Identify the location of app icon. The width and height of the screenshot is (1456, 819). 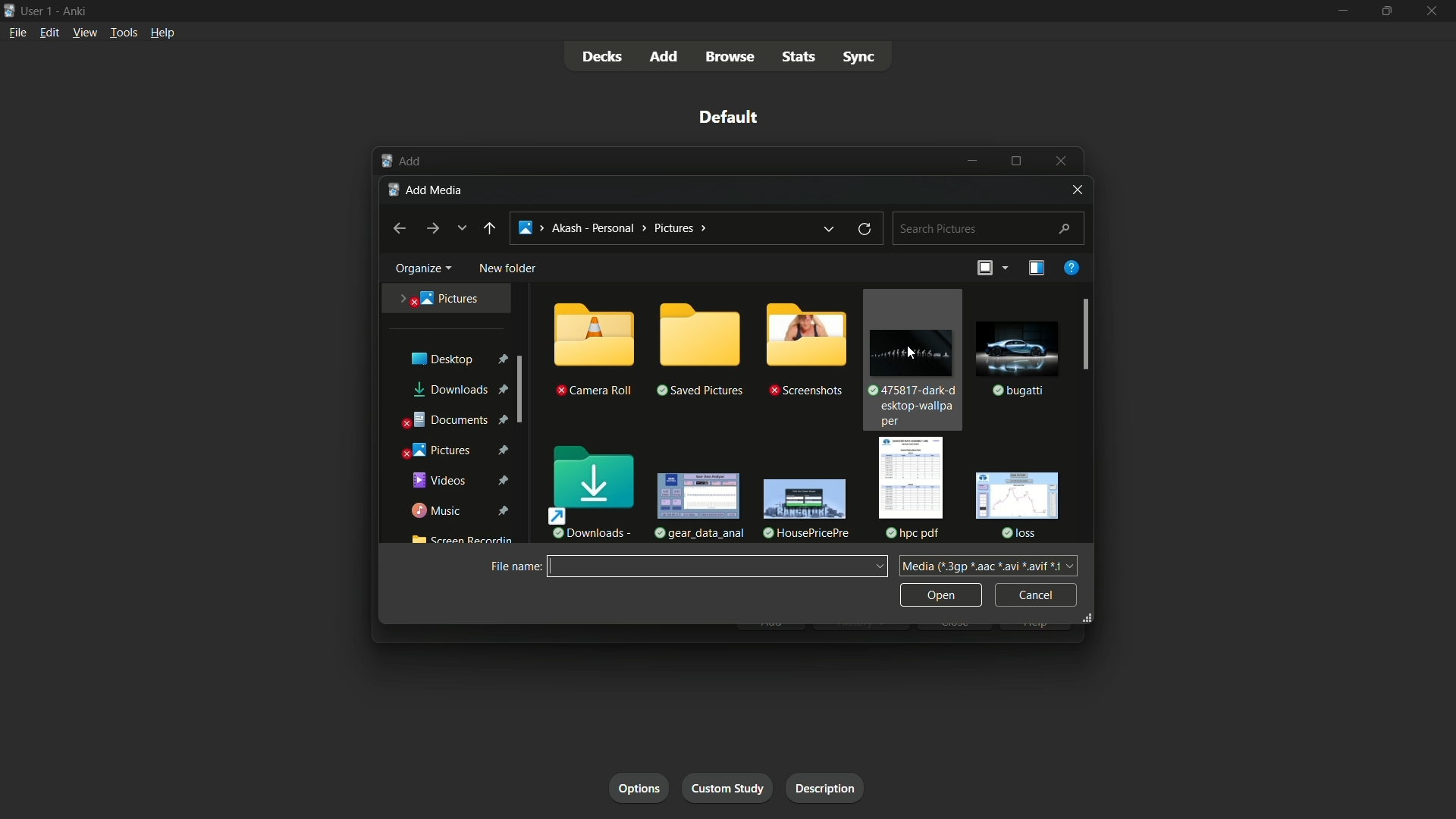
(9, 11).